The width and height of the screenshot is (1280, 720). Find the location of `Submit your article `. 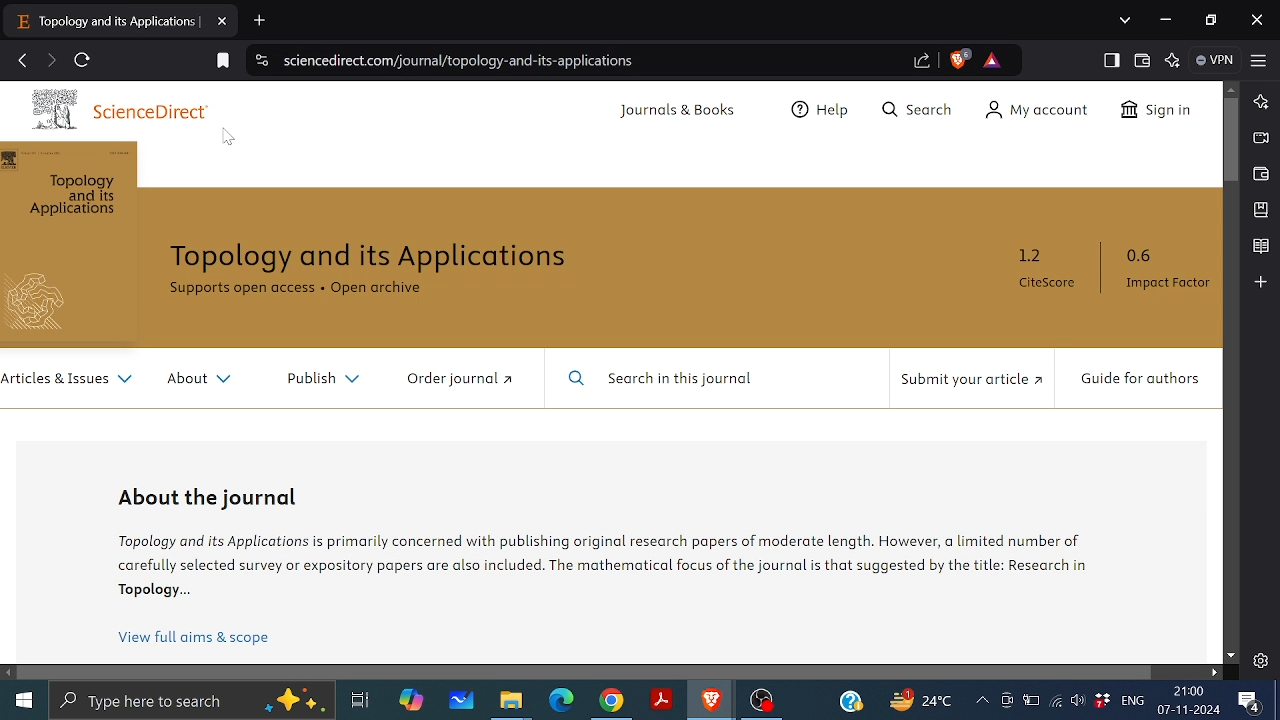

Submit your article  is located at coordinates (967, 381).